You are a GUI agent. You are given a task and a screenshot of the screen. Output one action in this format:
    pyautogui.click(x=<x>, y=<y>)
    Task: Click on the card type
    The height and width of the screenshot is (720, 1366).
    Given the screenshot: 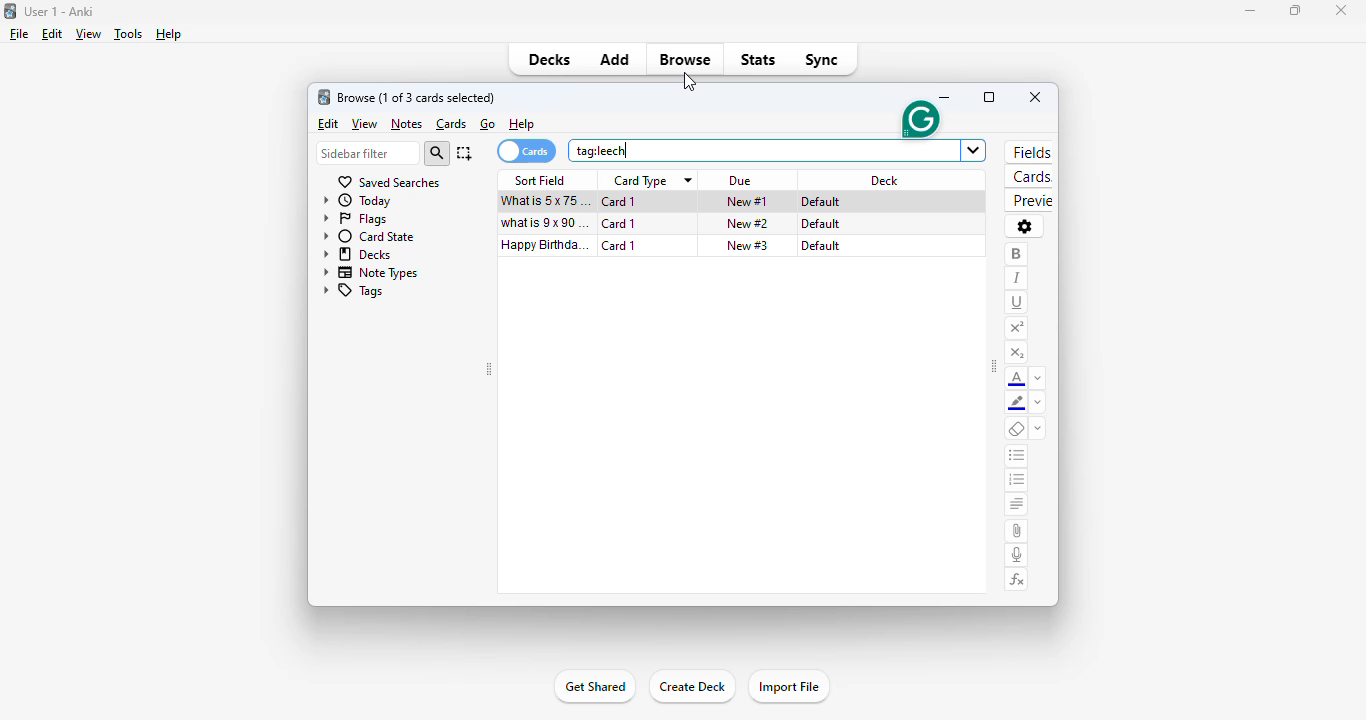 What is the action you would take?
    pyautogui.click(x=642, y=182)
    